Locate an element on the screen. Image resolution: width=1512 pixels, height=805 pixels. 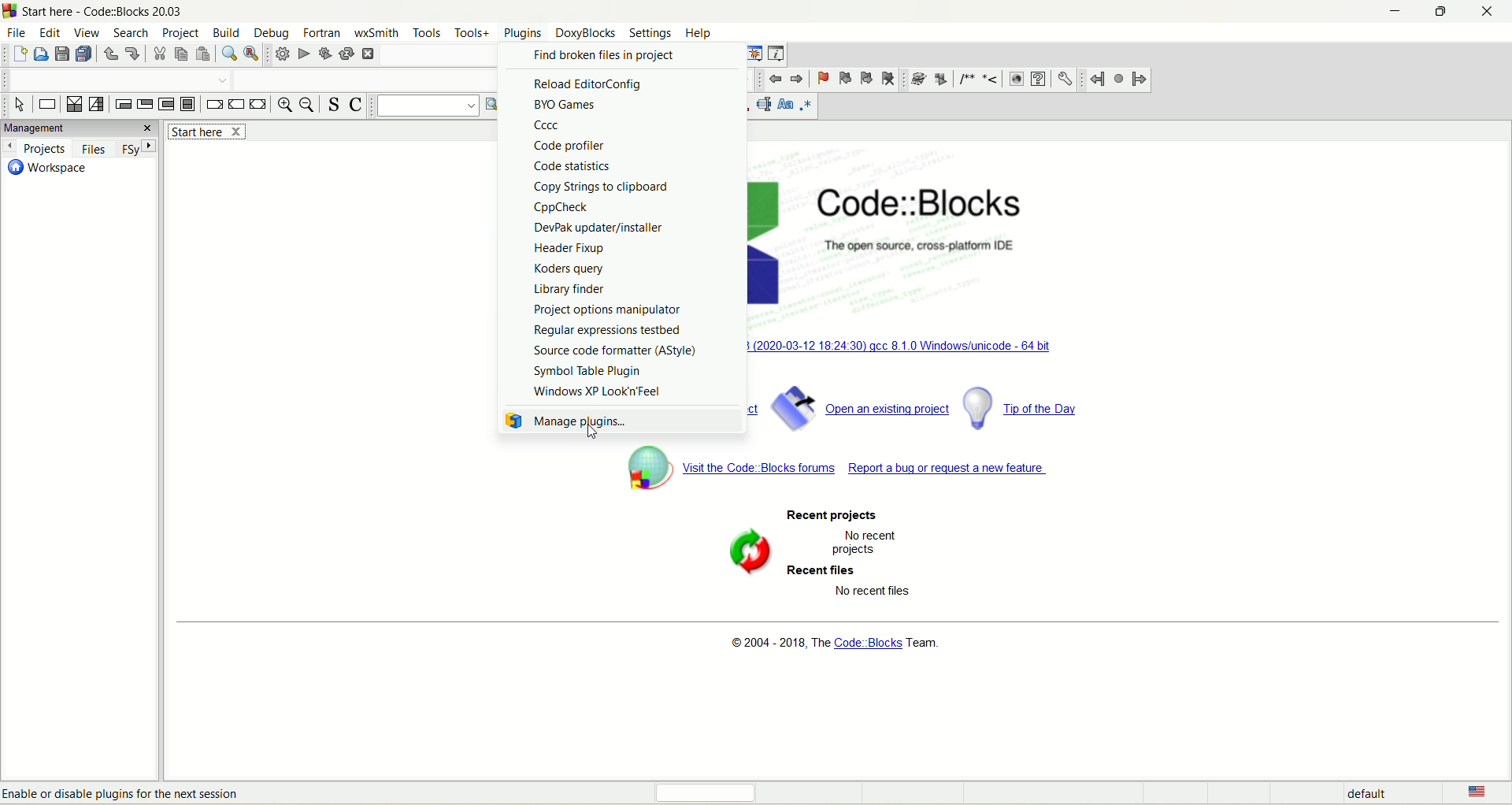
report a bug is located at coordinates (951, 474).